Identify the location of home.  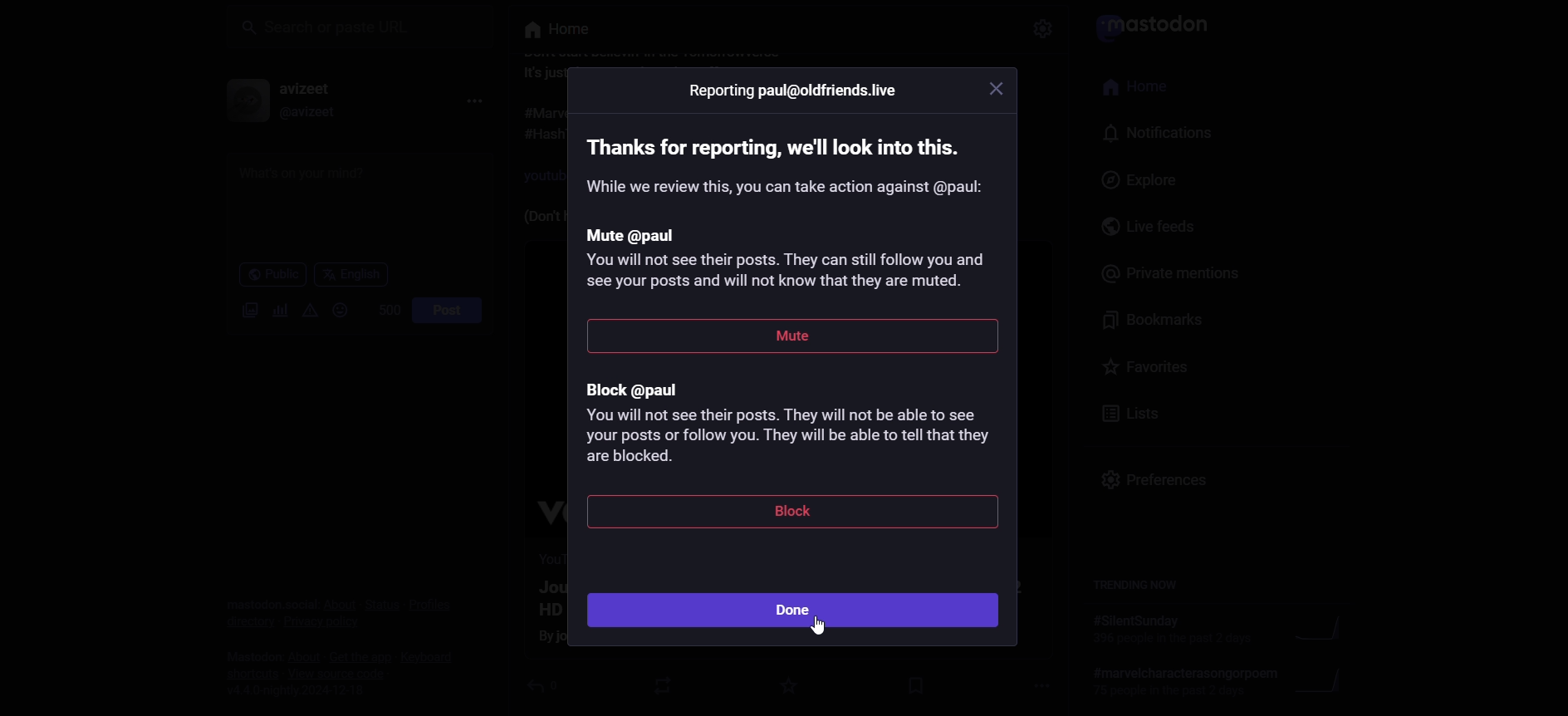
(1143, 89).